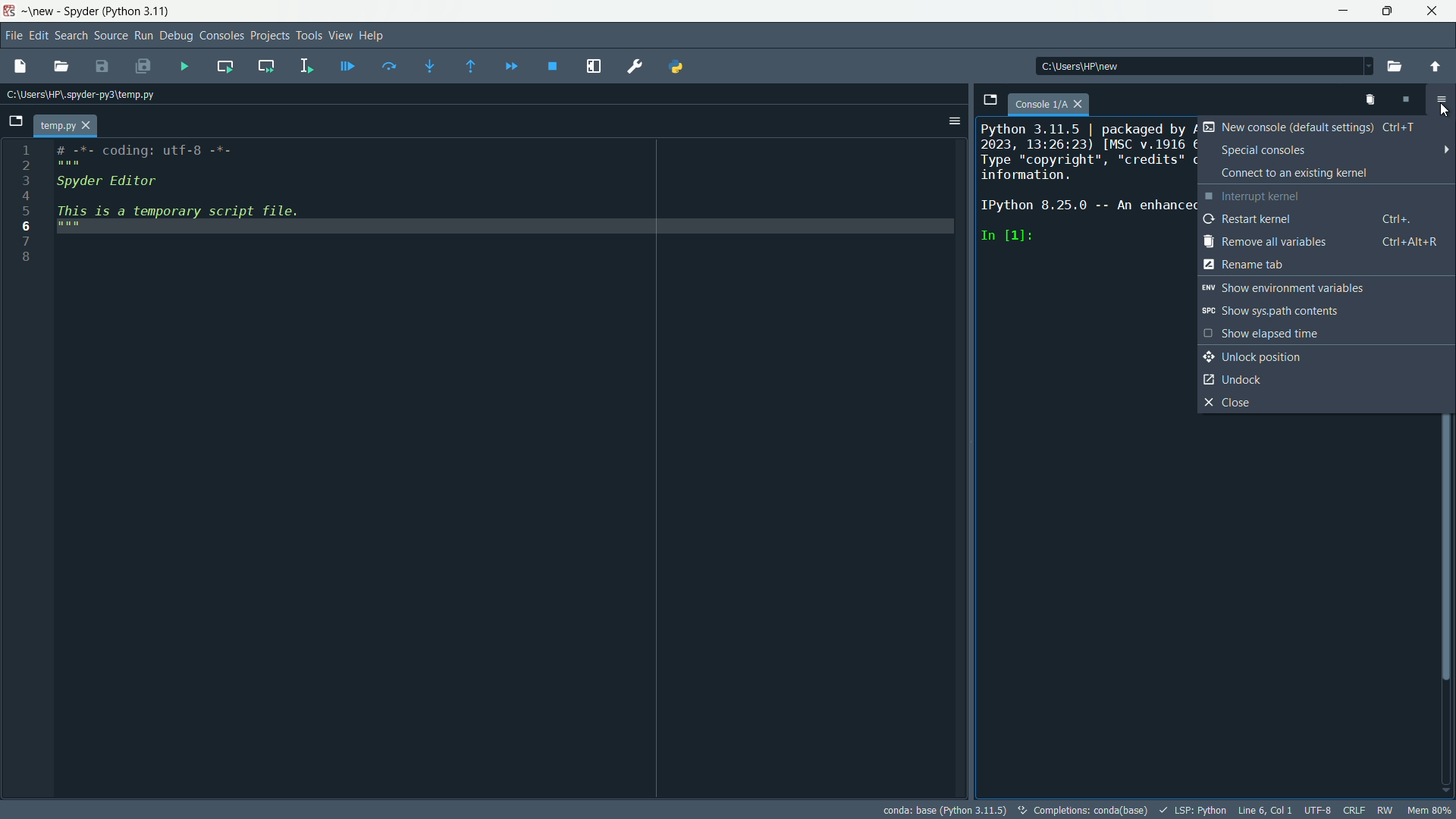 The width and height of the screenshot is (1456, 819). What do you see at coordinates (1354, 809) in the screenshot?
I see `CRFL` at bounding box center [1354, 809].